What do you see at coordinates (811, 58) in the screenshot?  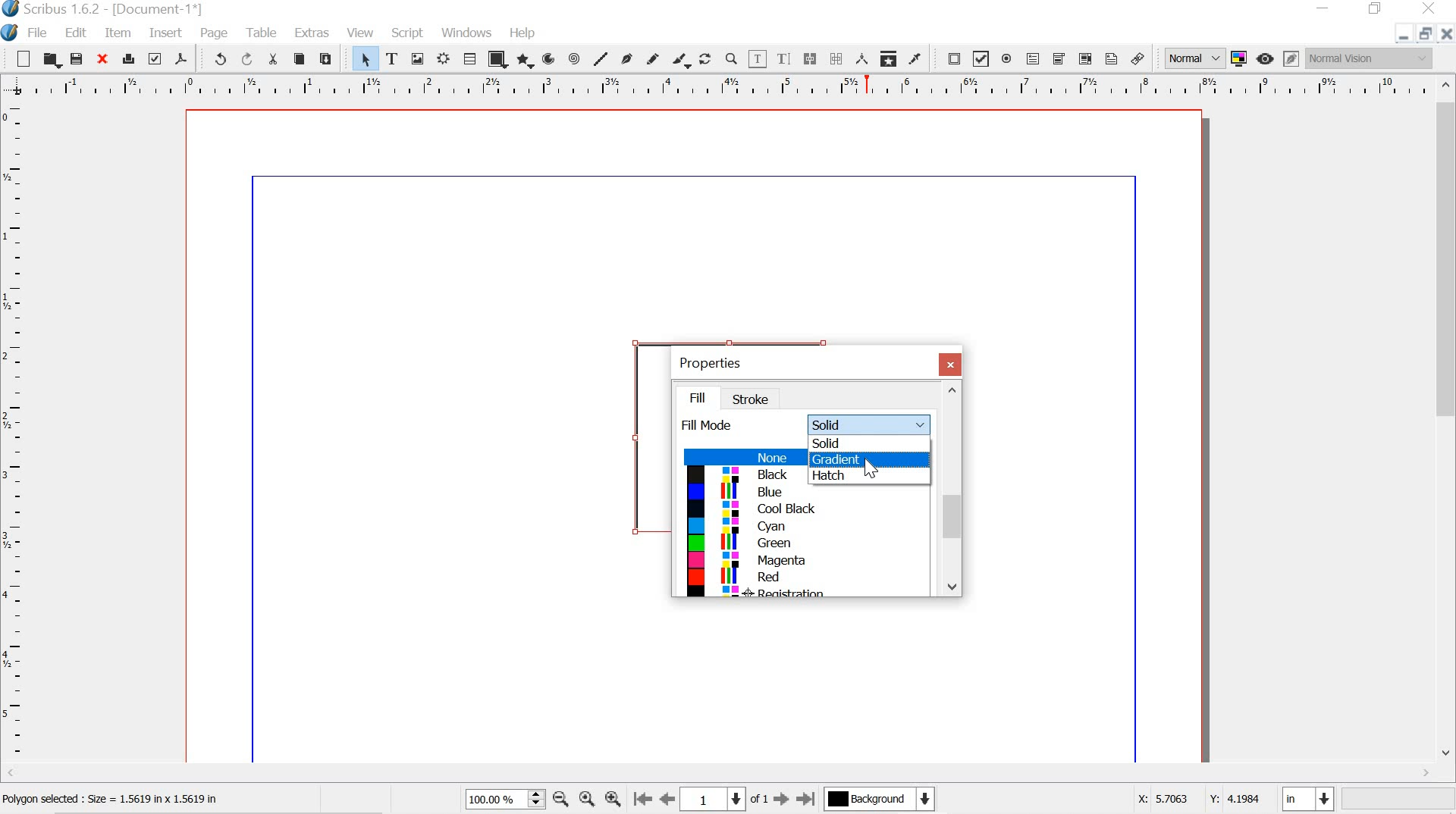 I see `link text frames` at bounding box center [811, 58].